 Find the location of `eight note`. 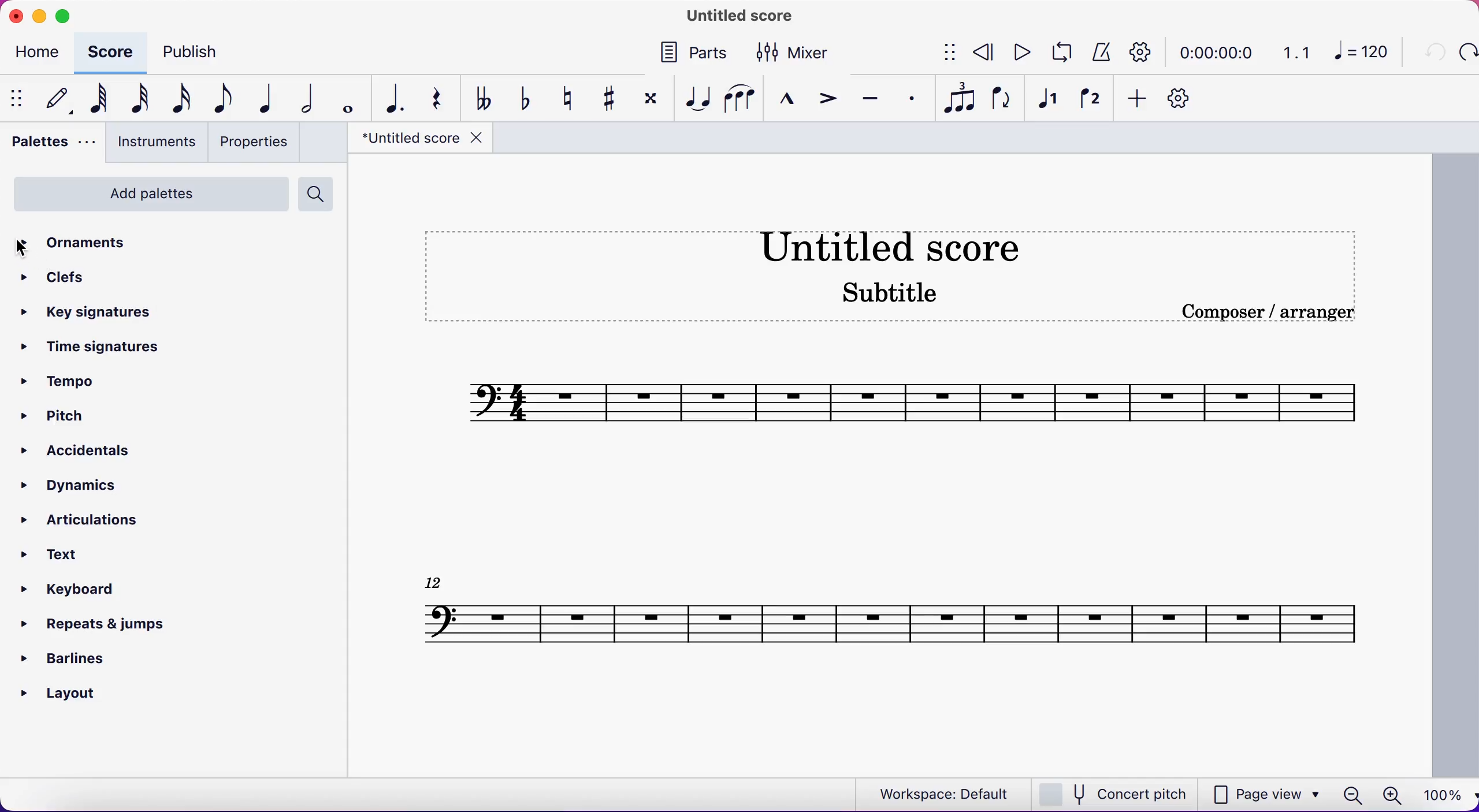

eight note is located at coordinates (222, 100).